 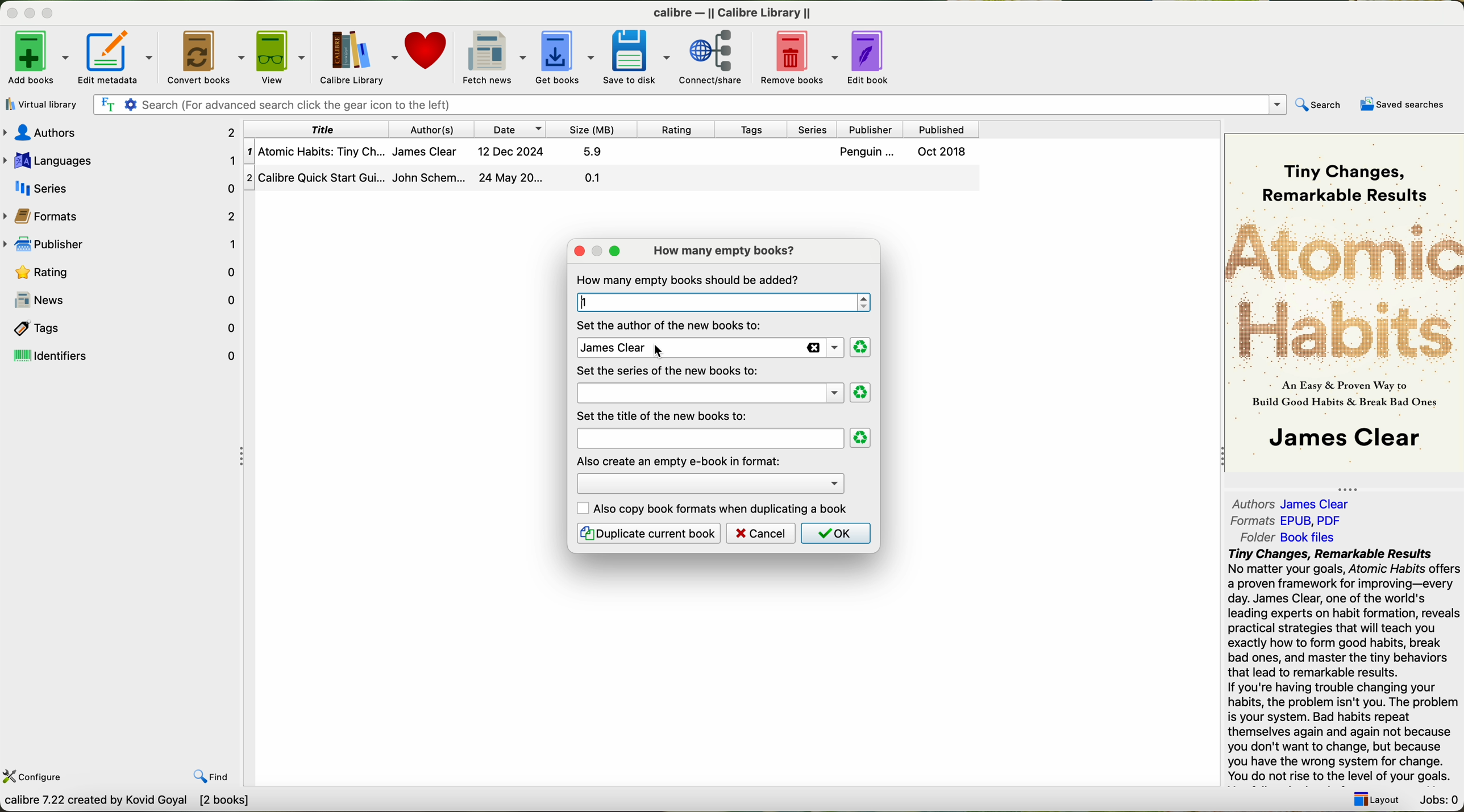 What do you see at coordinates (637, 57) in the screenshot?
I see `save to disk` at bounding box center [637, 57].